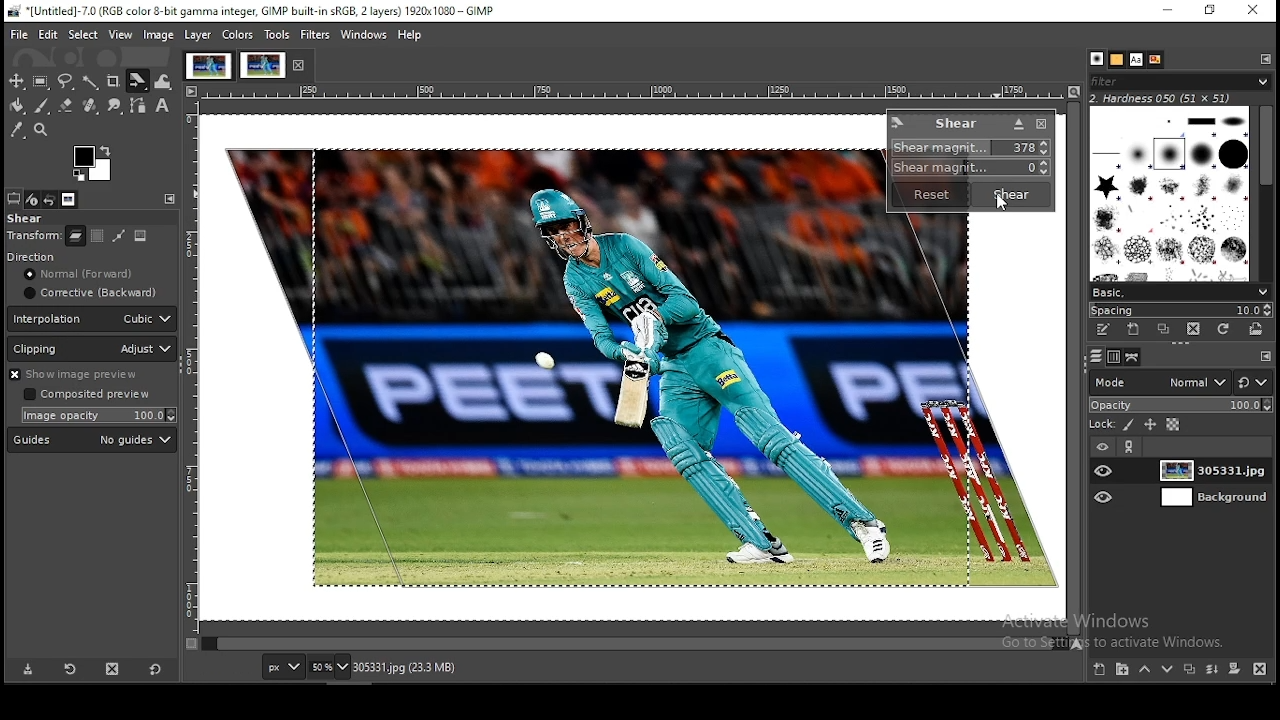 Image resolution: width=1280 pixels, height=720 pixels. I want to click on edit this brush, so click(1104, 330).